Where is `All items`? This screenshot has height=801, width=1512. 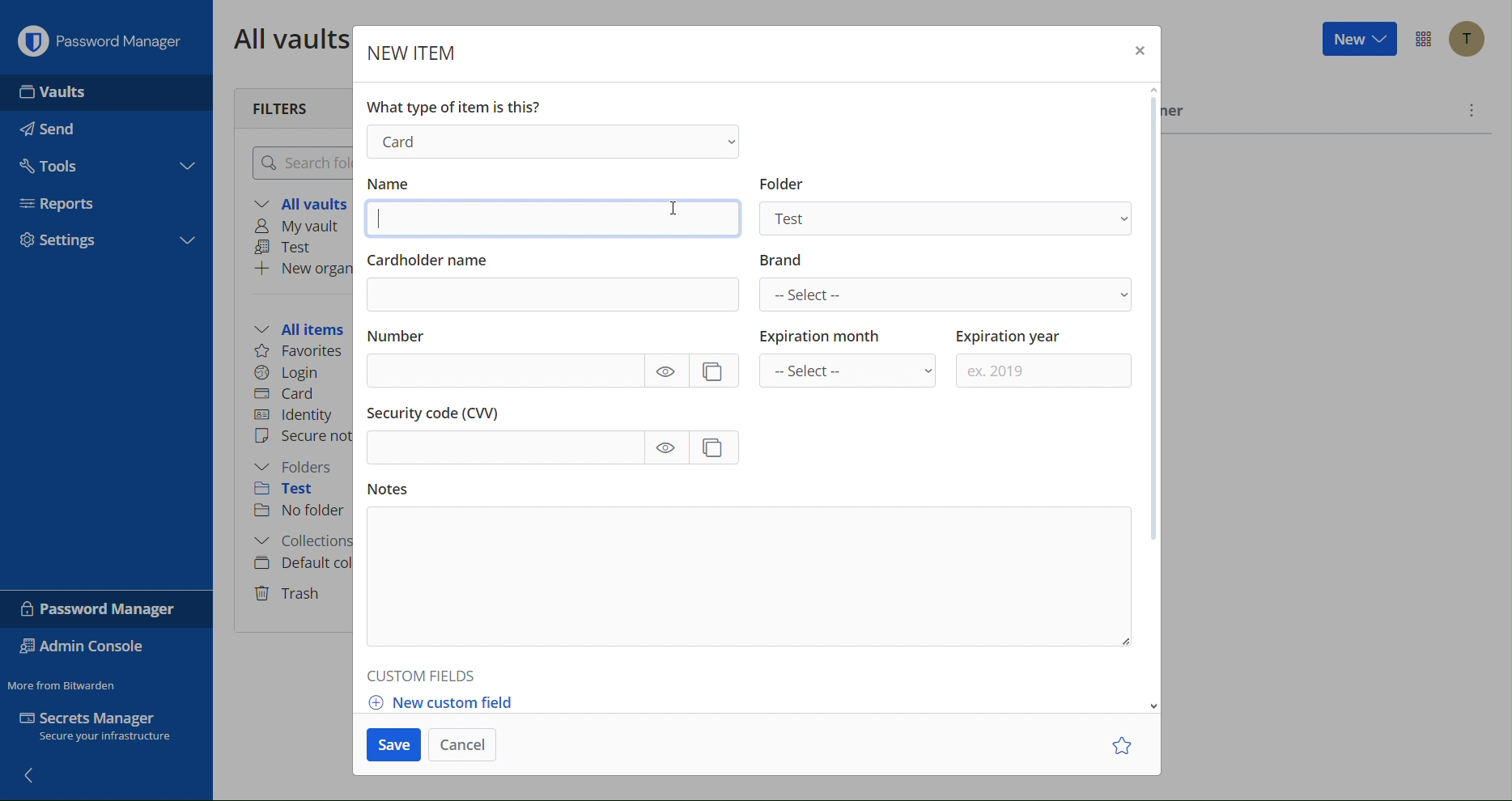 All items is located at coordinates (299, 328).